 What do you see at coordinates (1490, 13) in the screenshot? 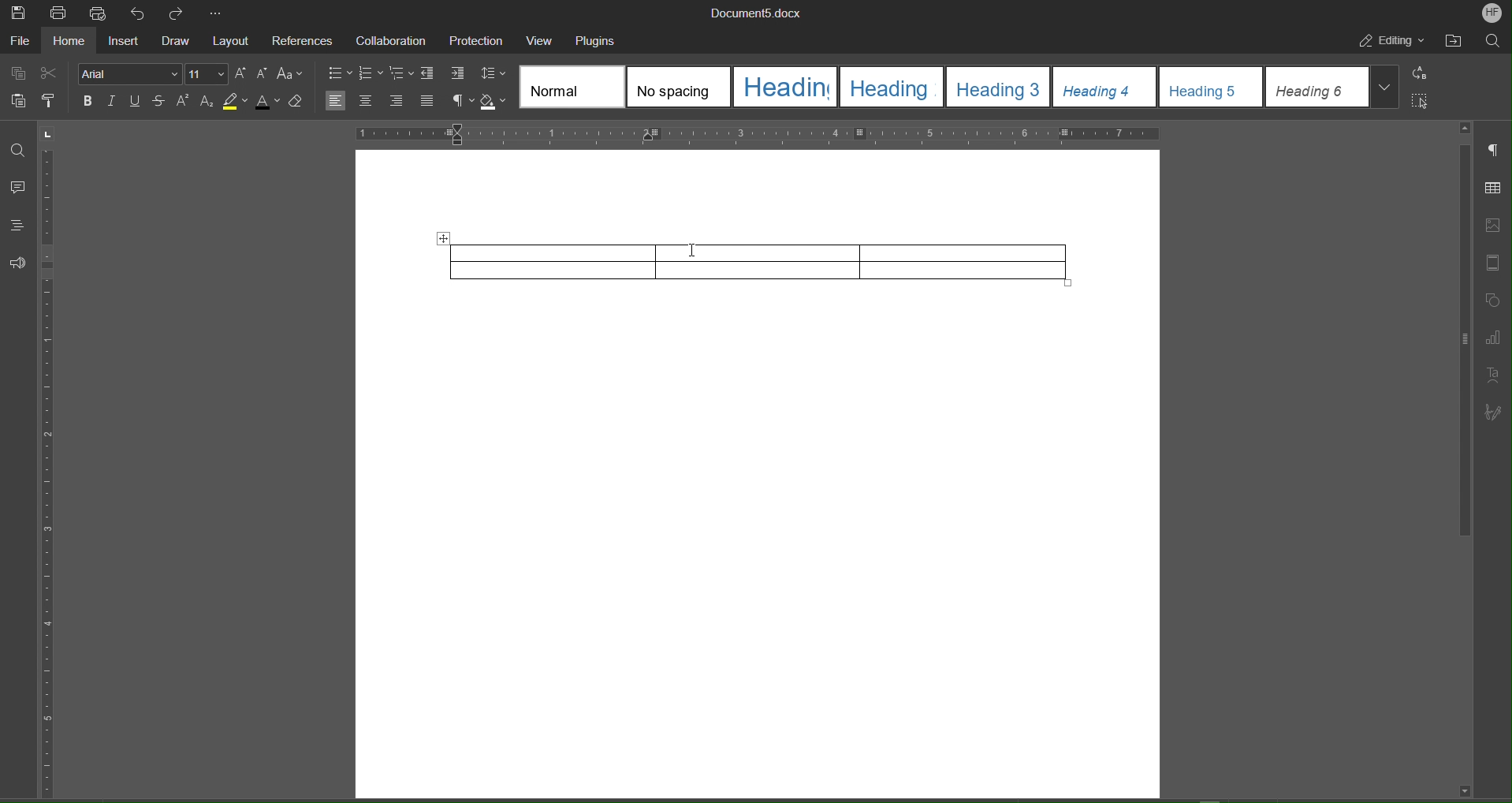
I see `Account` at bounding box center [1490, 13].